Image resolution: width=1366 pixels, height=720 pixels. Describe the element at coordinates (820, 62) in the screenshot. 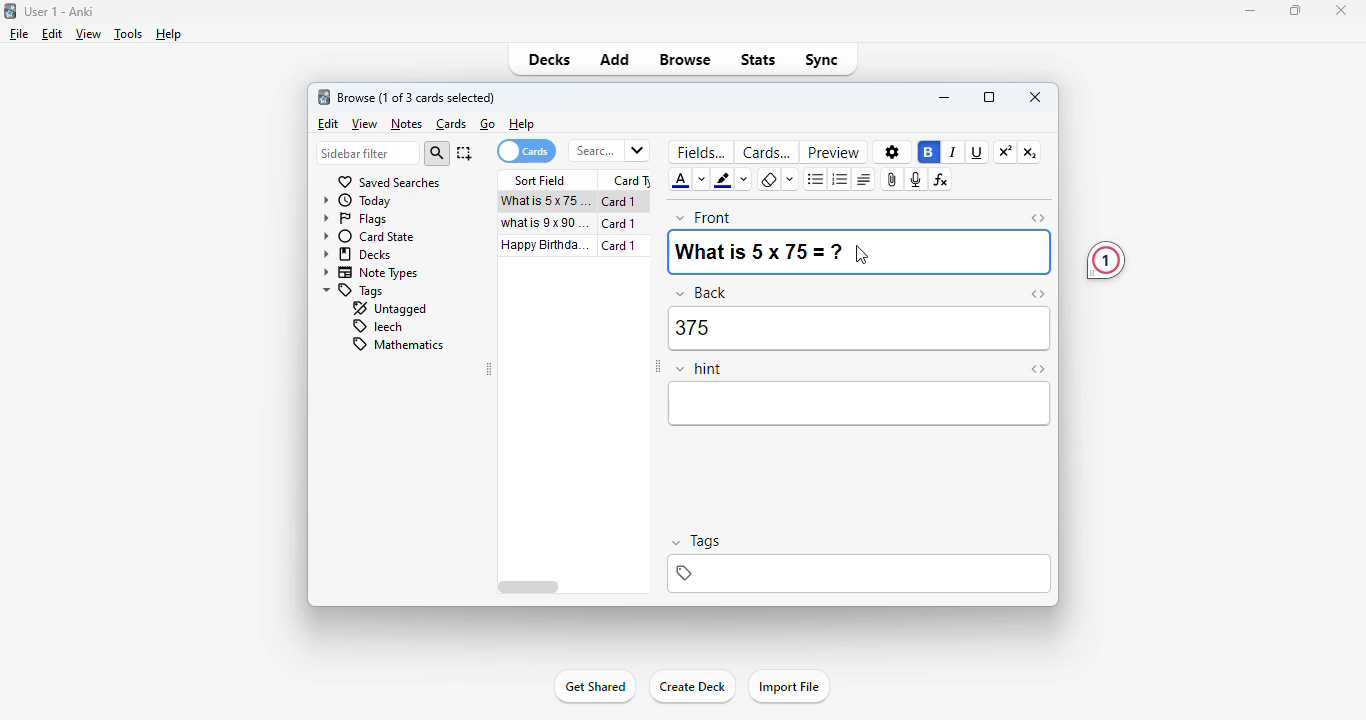

I see `sync` at that location.